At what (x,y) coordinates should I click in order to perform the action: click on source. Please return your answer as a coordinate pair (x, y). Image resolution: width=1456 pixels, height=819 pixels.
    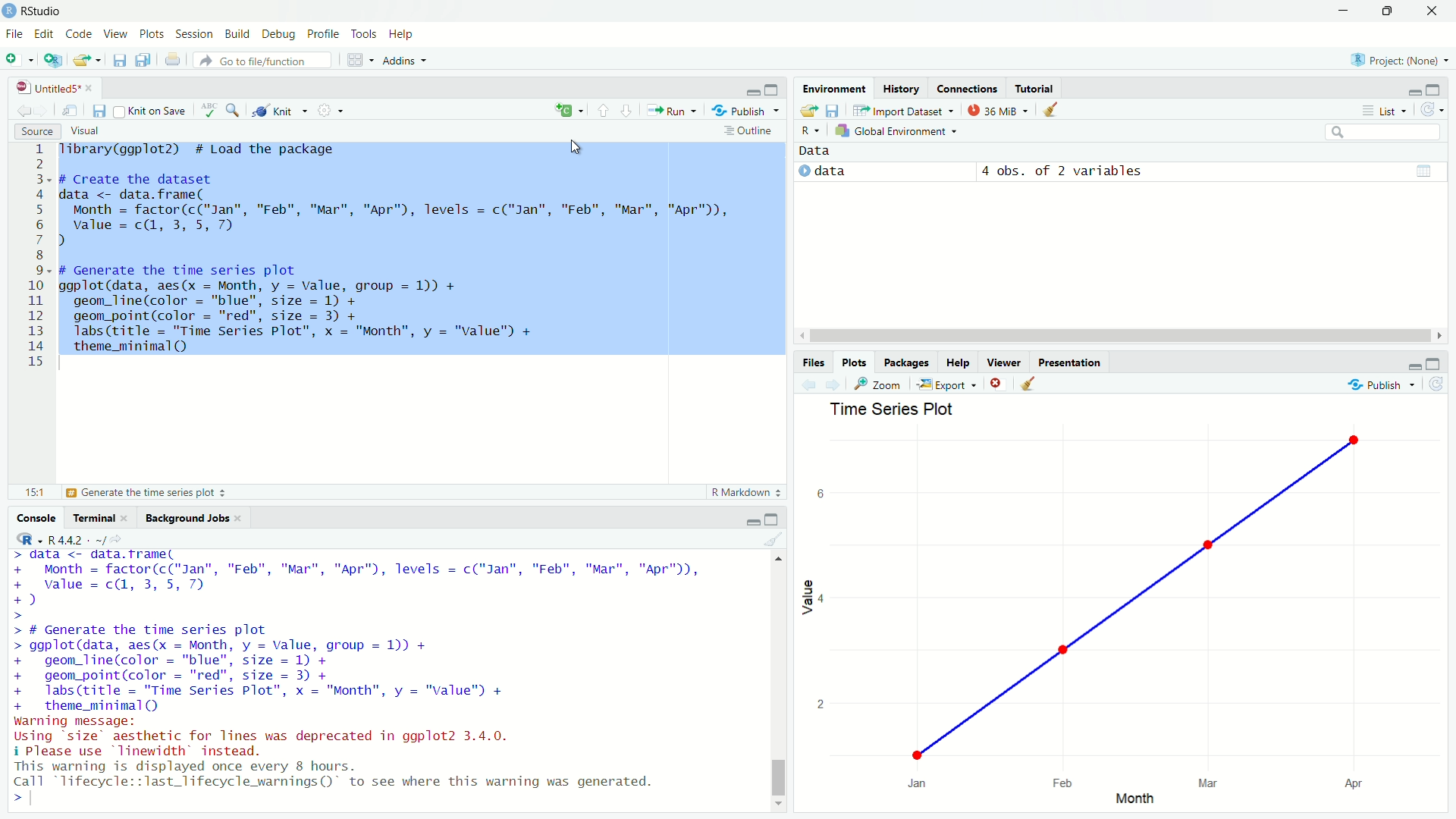
    Looking at the image, I should click on (34, 131).